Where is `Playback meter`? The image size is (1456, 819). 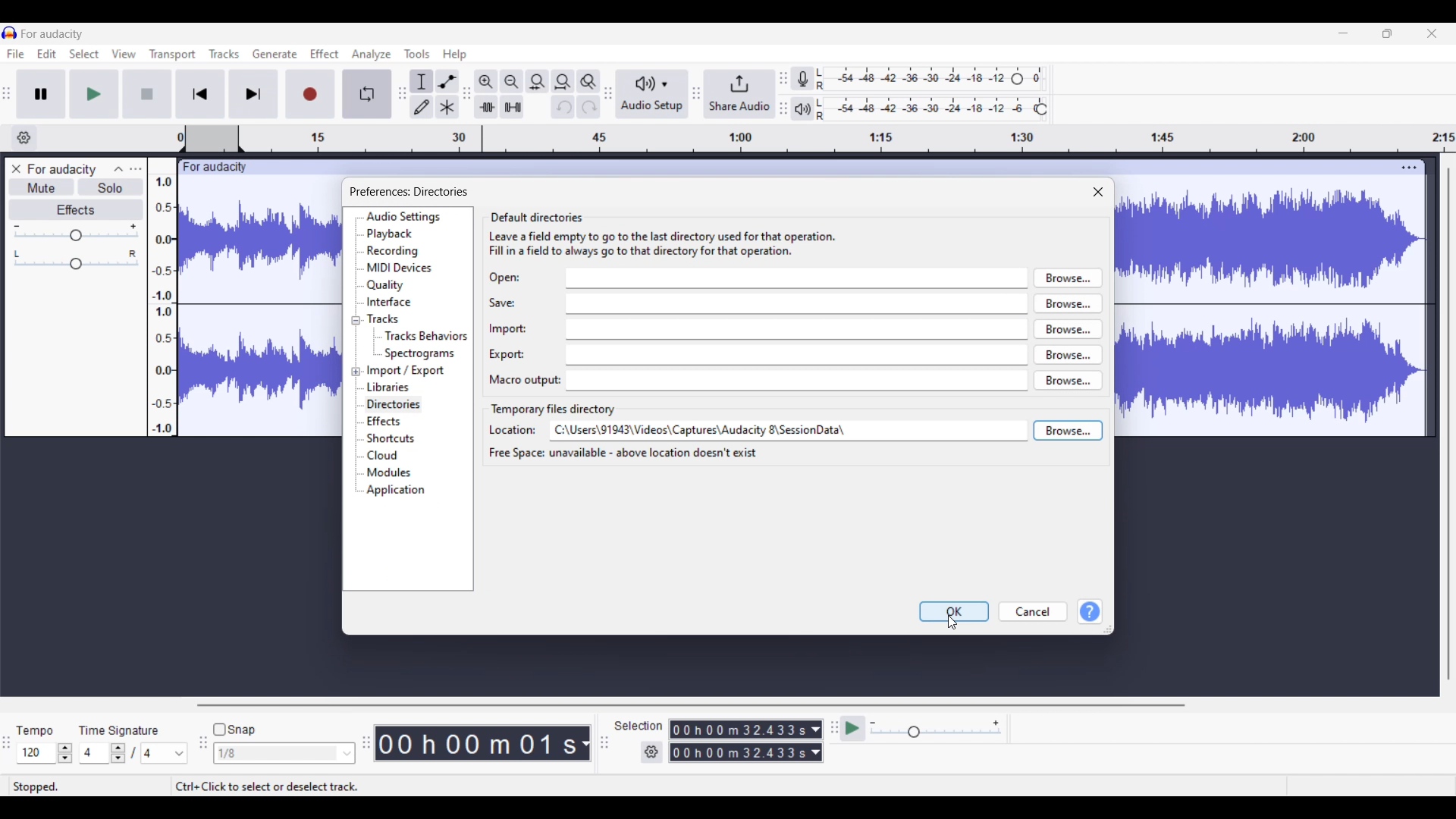 Playback meter is located at coordinates (801, 108).